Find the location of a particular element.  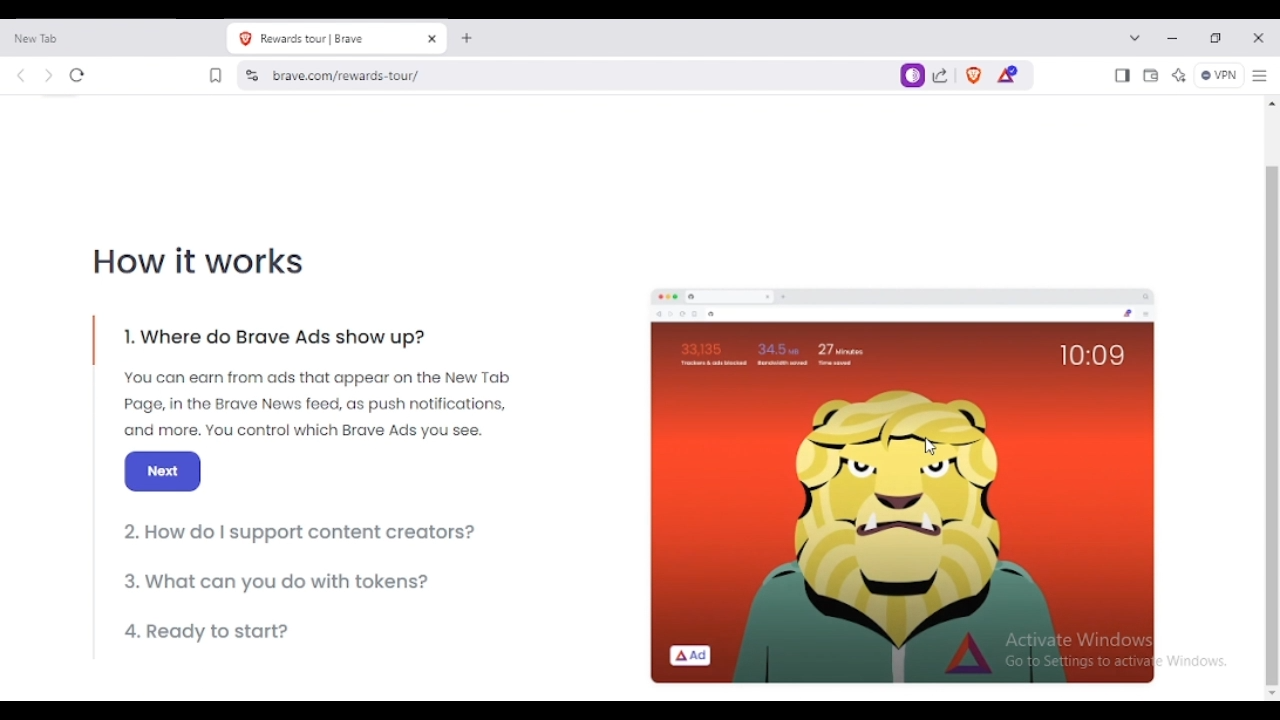

add tab is located at coordinates (468, 39).